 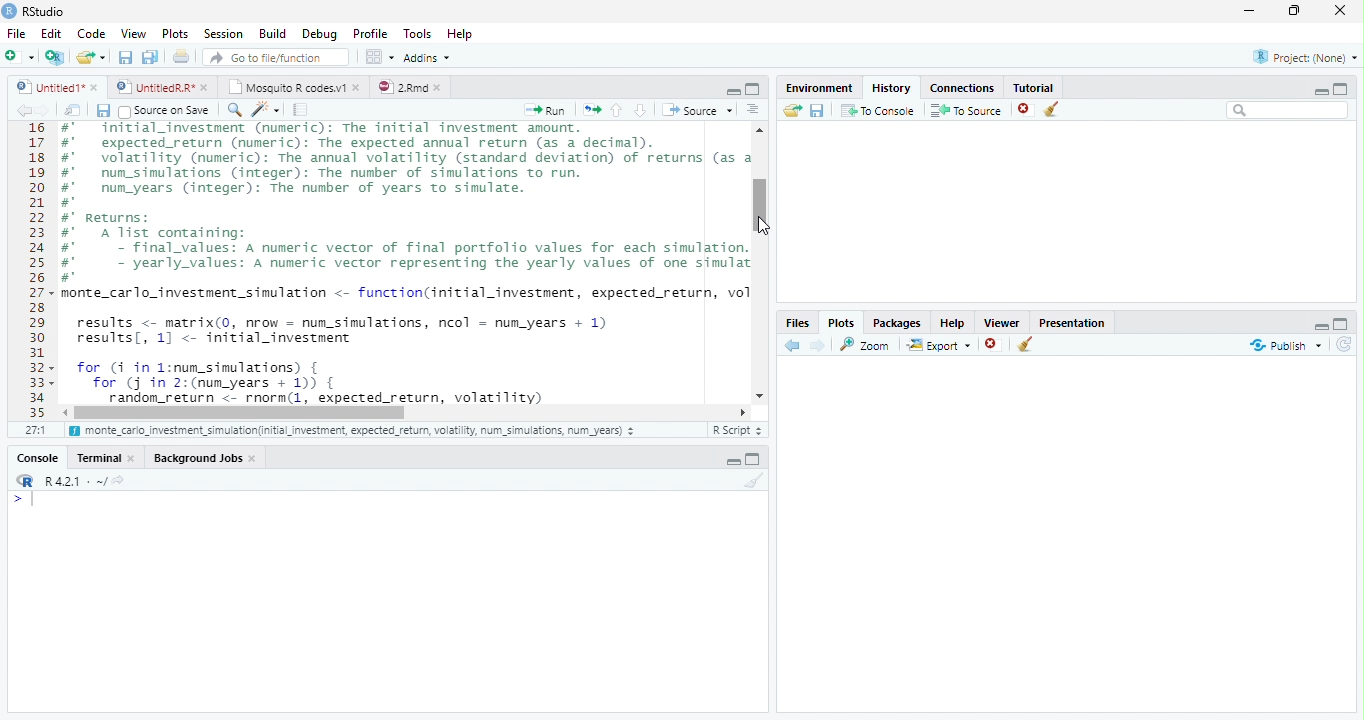 I want to click on Help, so click(x=462, y=35).